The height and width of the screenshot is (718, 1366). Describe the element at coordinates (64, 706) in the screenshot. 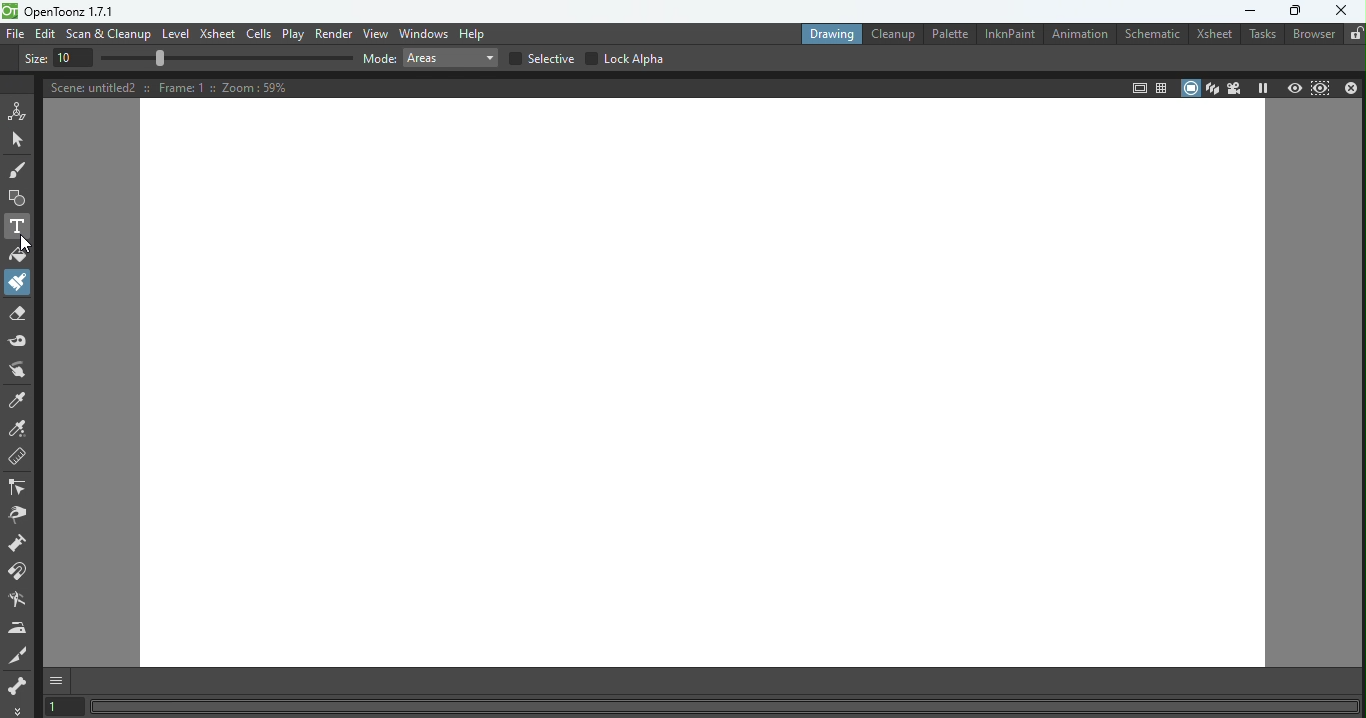

I see `Set the current frame` at that location.